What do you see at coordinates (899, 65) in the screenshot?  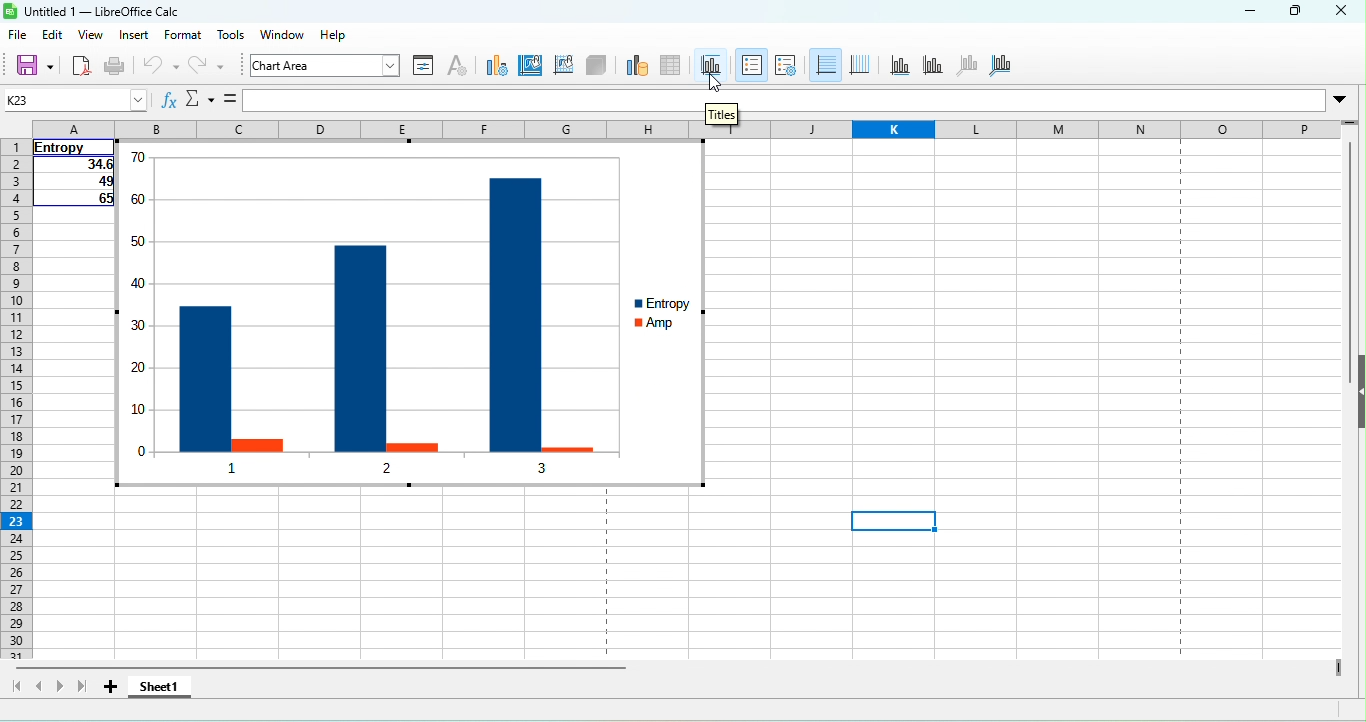 I see `x axis` at bounding box center [899, 65].